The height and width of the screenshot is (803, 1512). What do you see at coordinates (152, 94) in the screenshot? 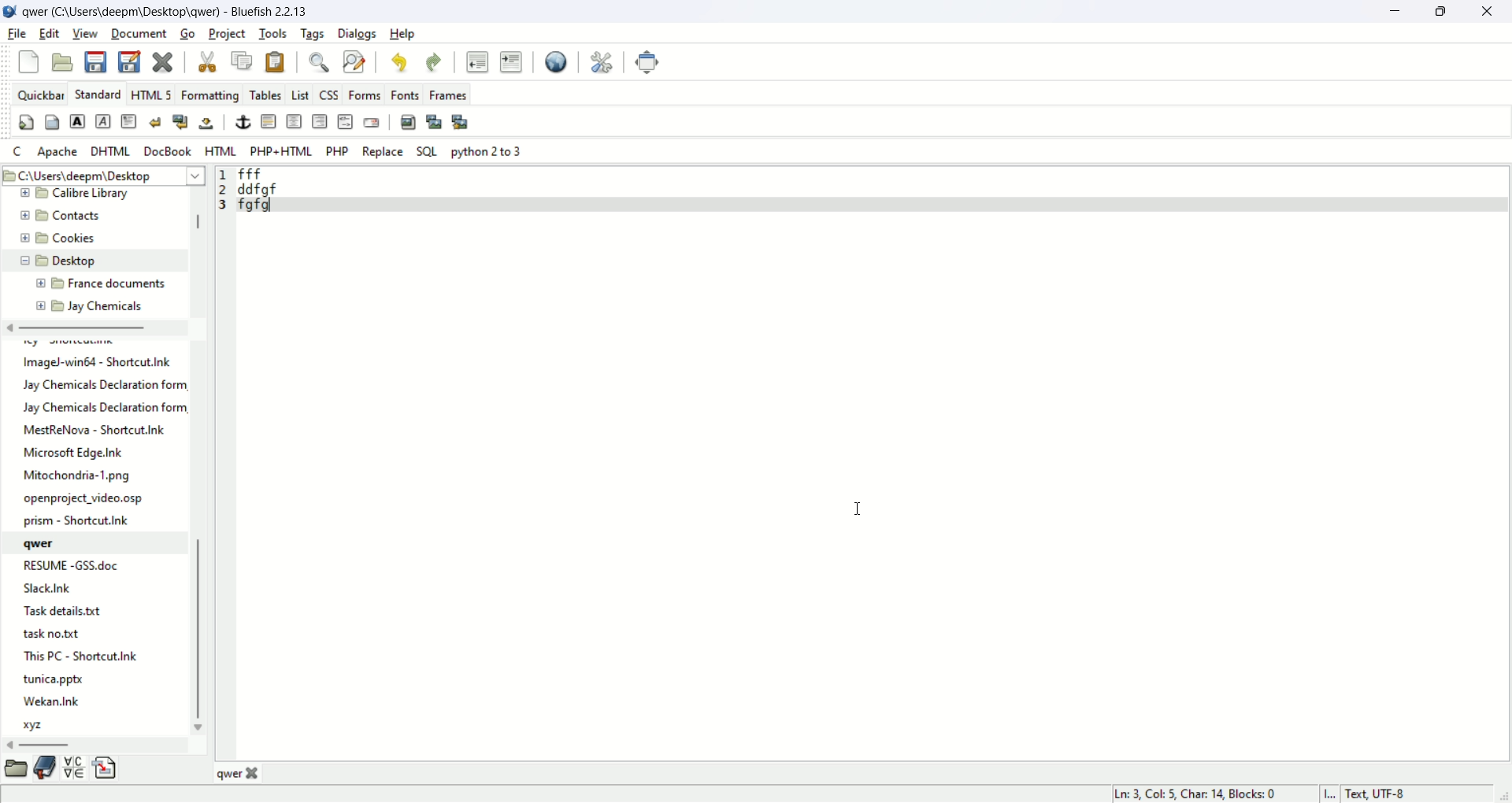
I see `HTML 5` at bounding box center [152, 94].